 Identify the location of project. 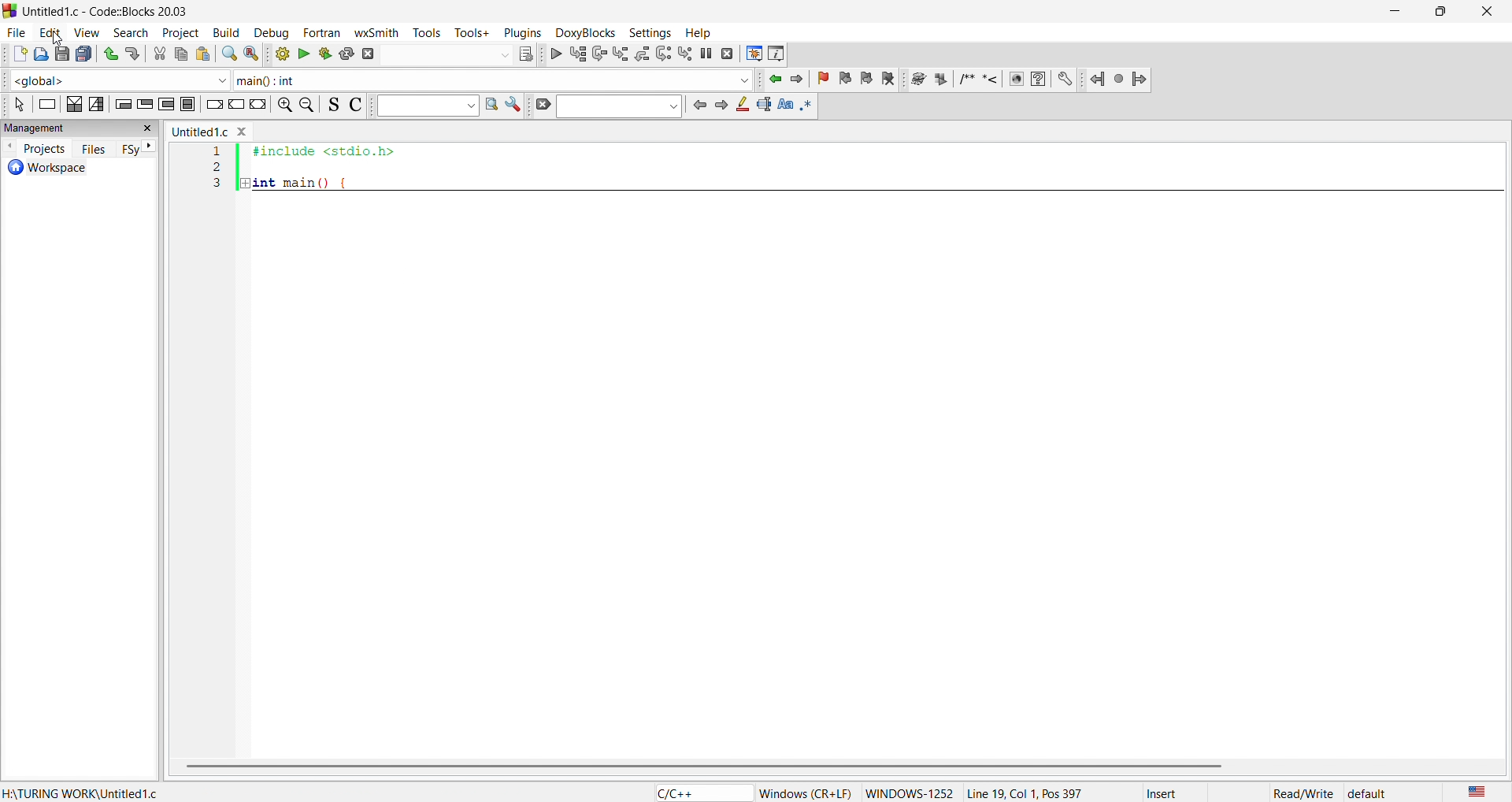
(177, 31).